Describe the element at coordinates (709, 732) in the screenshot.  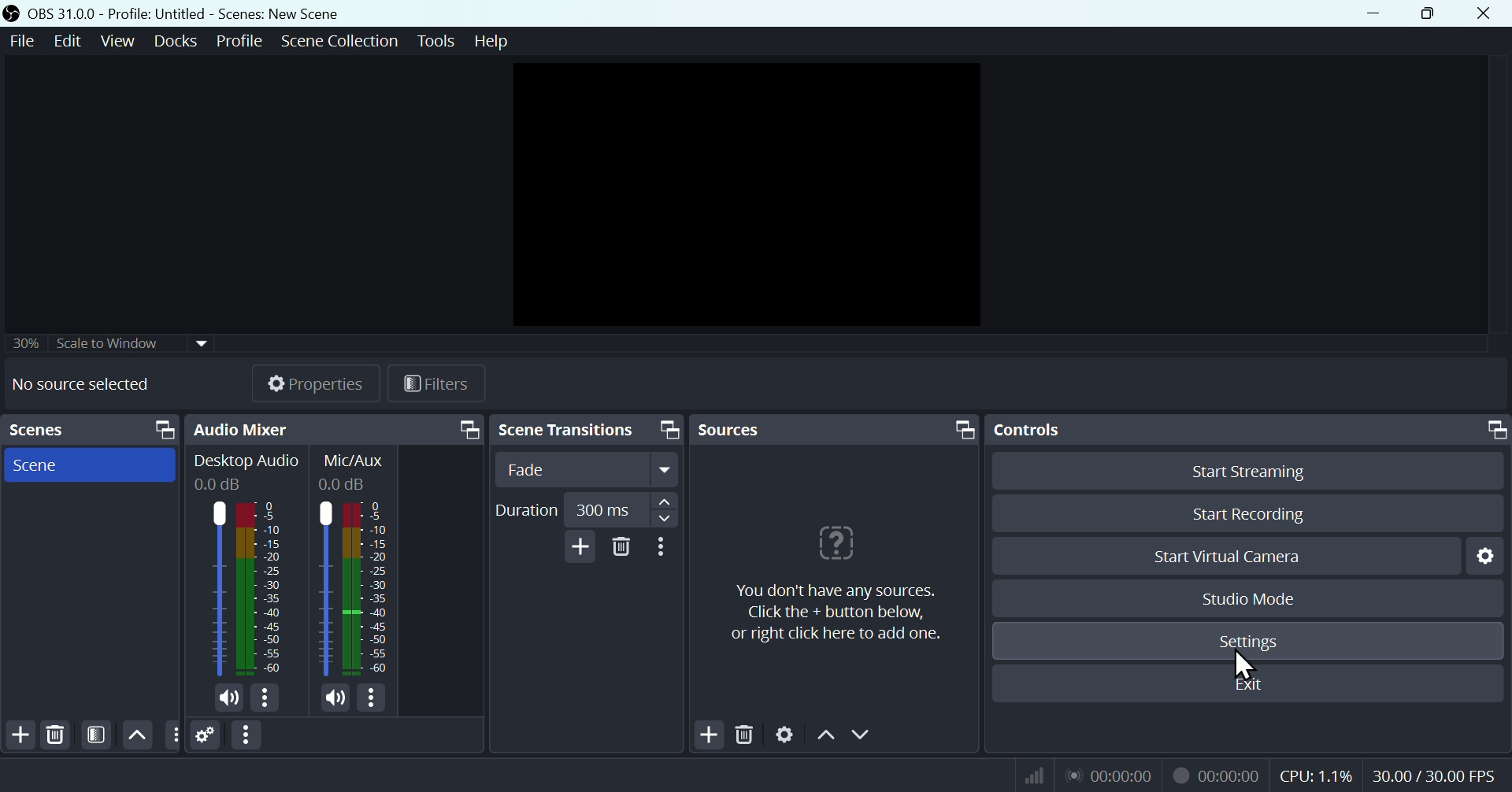
I see `Add` at that location.